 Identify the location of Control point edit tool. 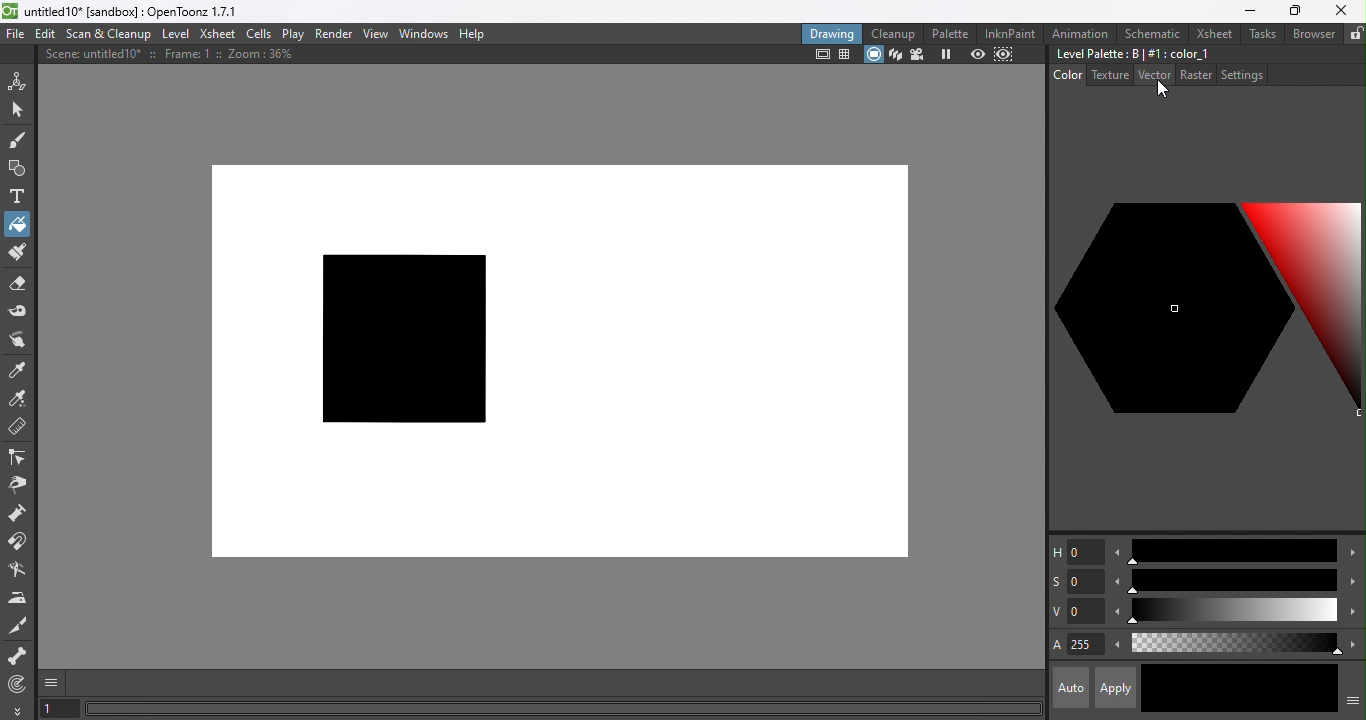
(20, 456).